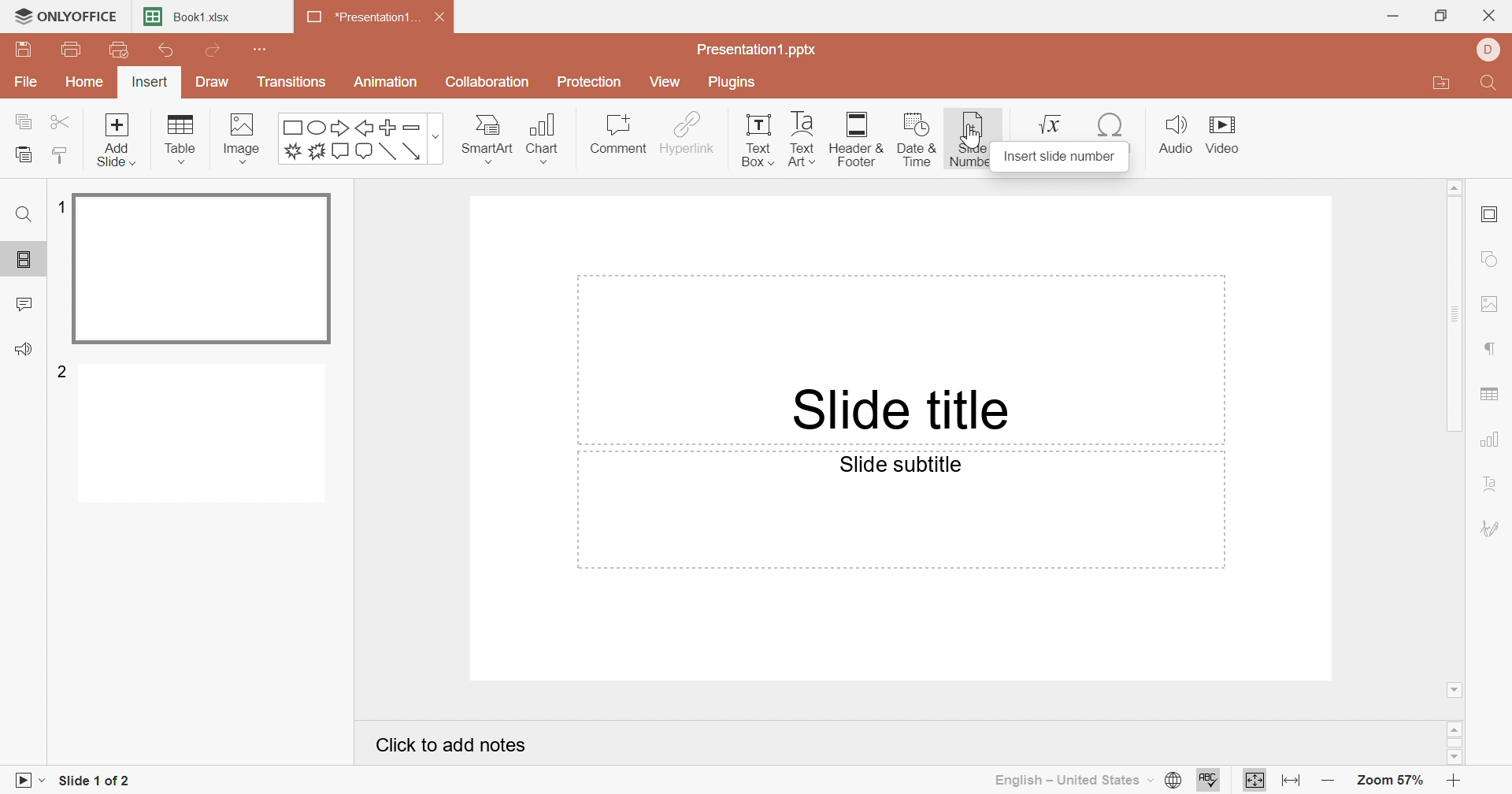 This screenshot has width=1512, height=794. Describe the element at coordinates (1072, 780) in the screenshot. I see `English - United States` at that location.